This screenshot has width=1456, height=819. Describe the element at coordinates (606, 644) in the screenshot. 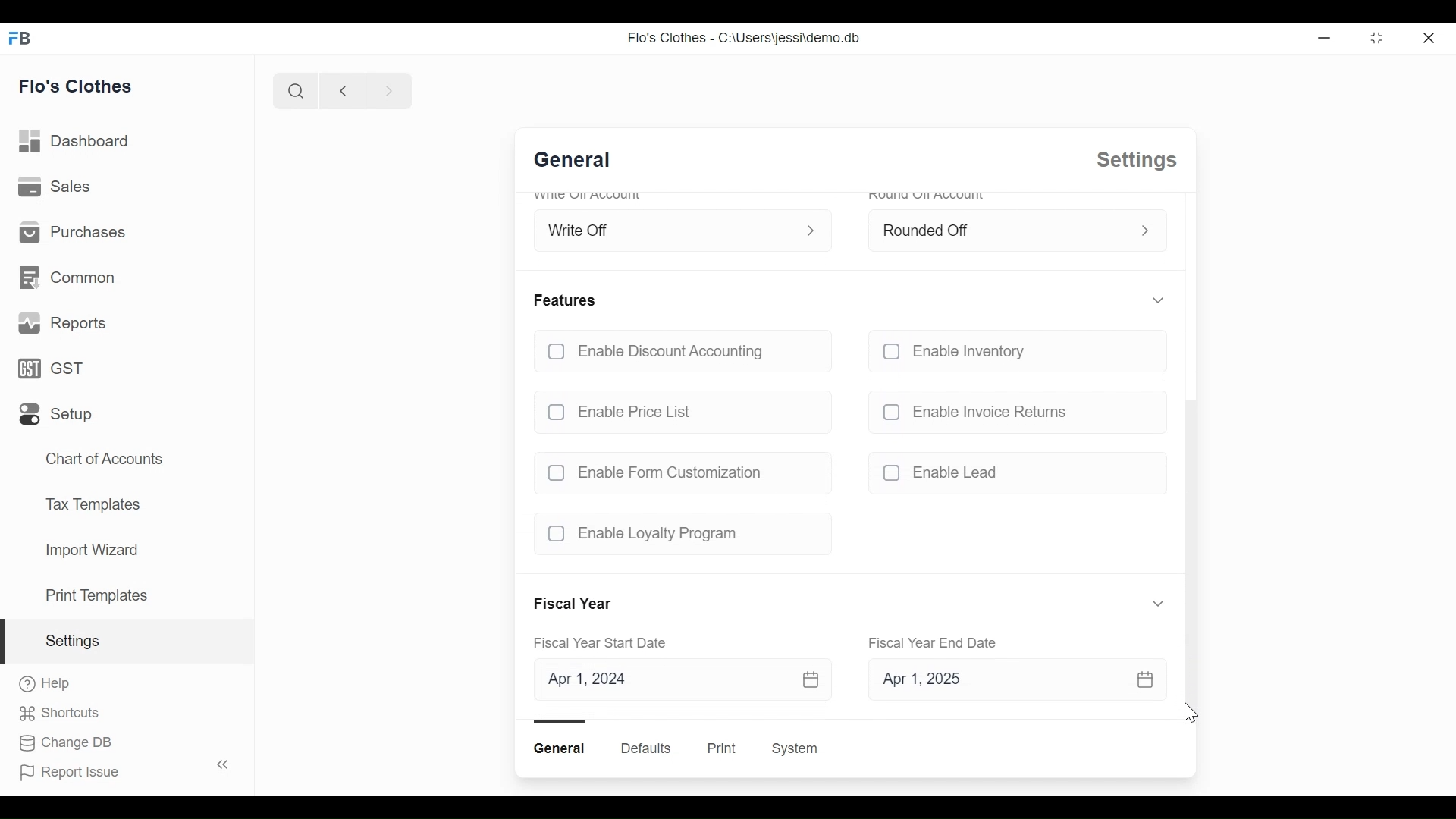

I see `Fiscal Year Start Date` at that location.